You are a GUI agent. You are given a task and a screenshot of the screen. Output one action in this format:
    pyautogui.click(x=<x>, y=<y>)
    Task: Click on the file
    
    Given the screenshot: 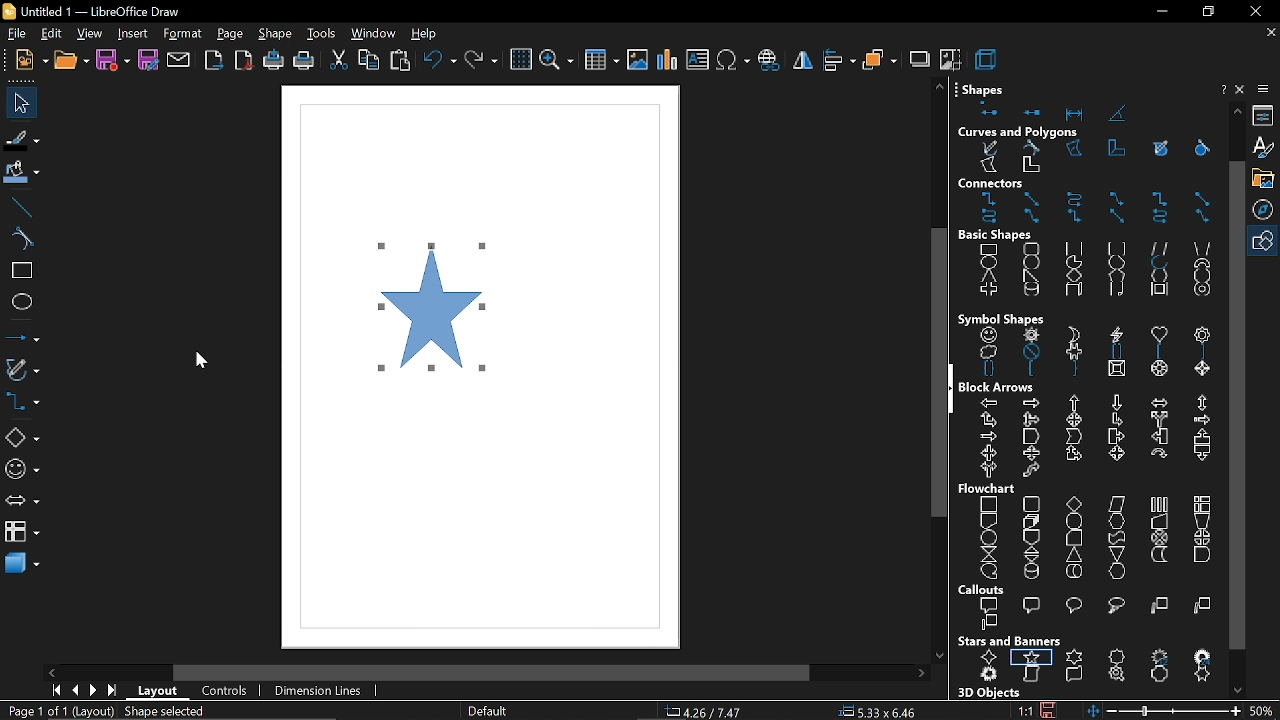 What is the action you would take?
    pyautogui.click(x=14, y=34)
    